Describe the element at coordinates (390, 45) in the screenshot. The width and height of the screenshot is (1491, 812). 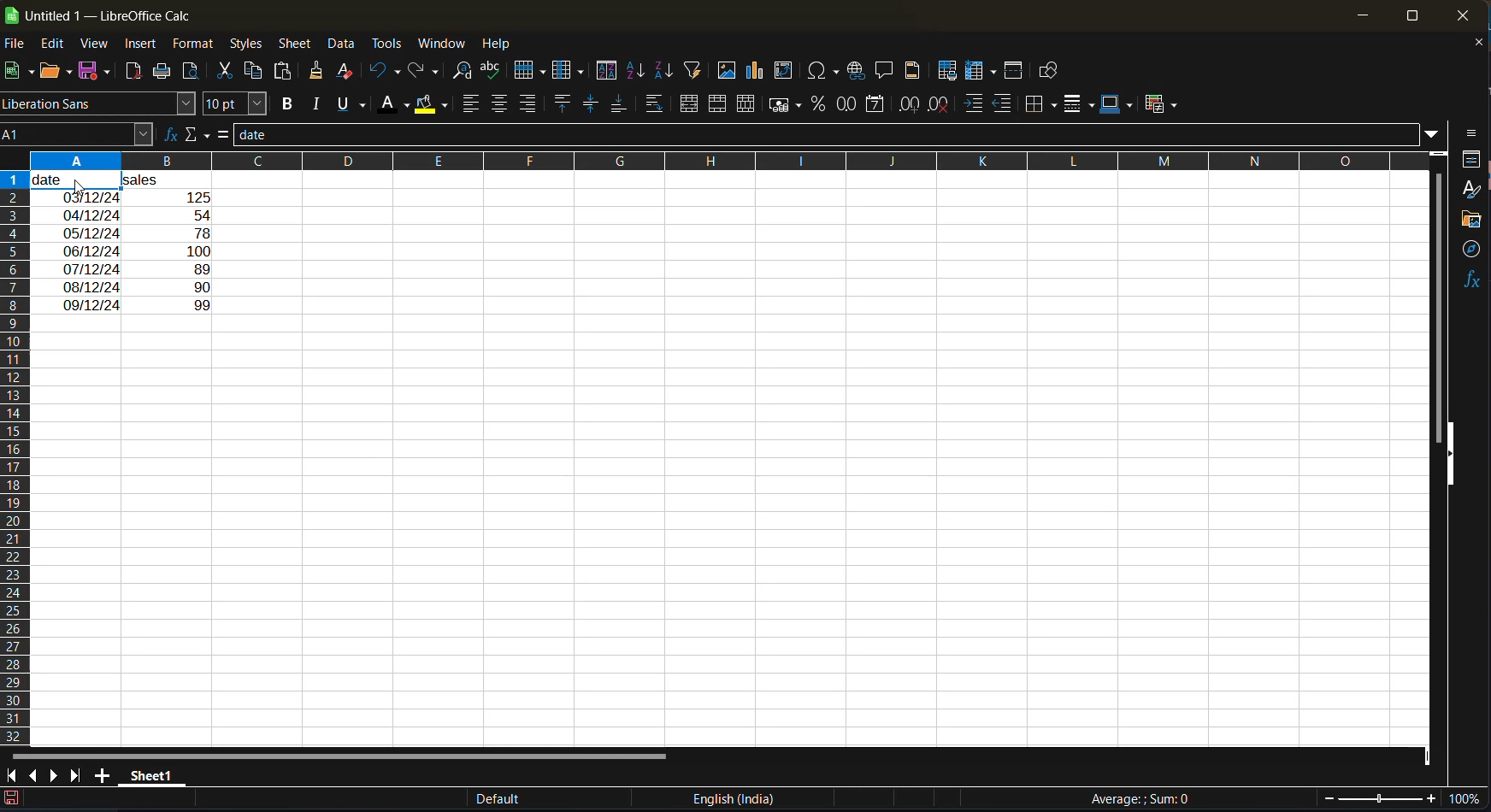
I see `tools` at that location.